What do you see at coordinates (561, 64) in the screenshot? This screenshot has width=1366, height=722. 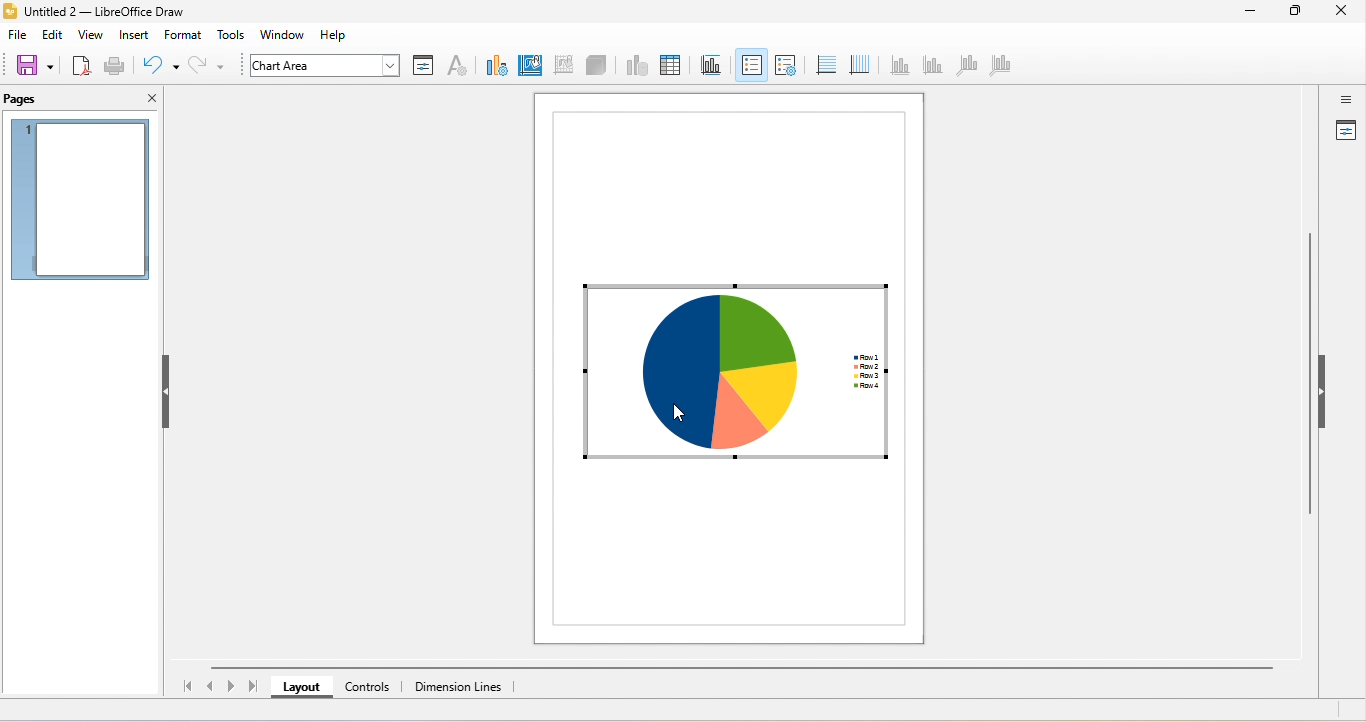 I see `format chat wall` at bounding box center [561, 64].